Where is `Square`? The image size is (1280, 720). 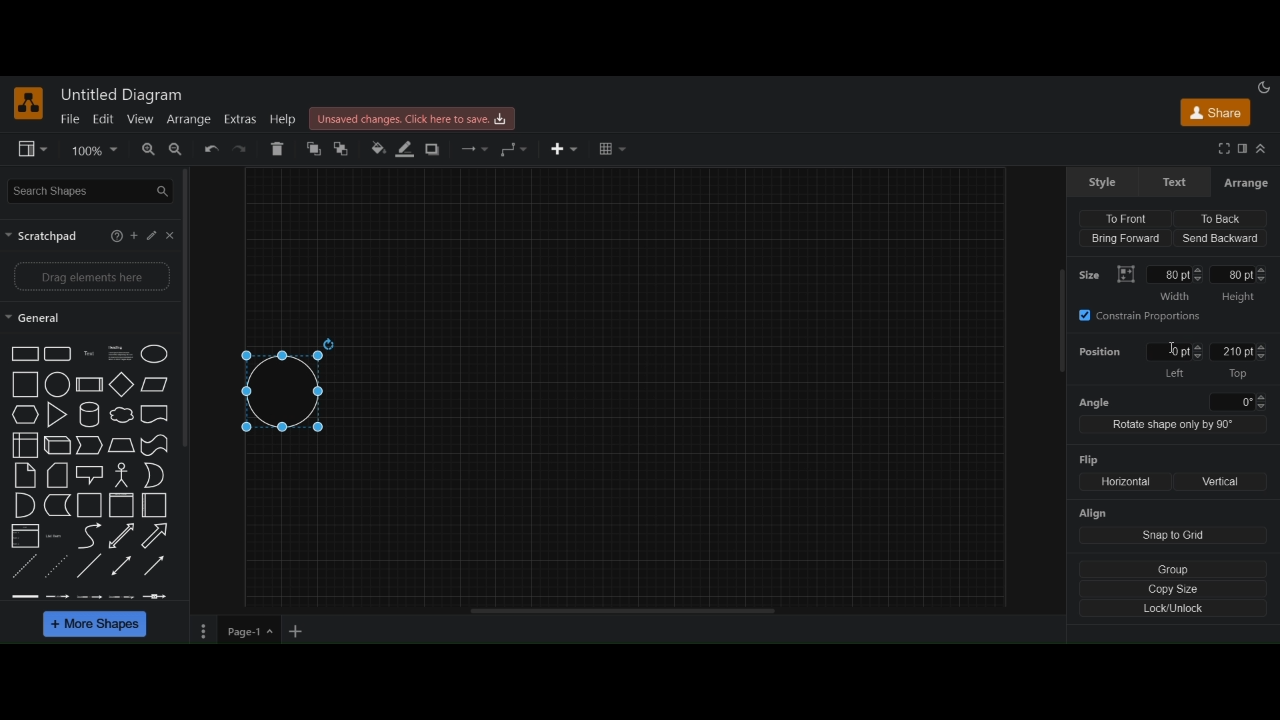
Square is located at coordinates (26, 384).